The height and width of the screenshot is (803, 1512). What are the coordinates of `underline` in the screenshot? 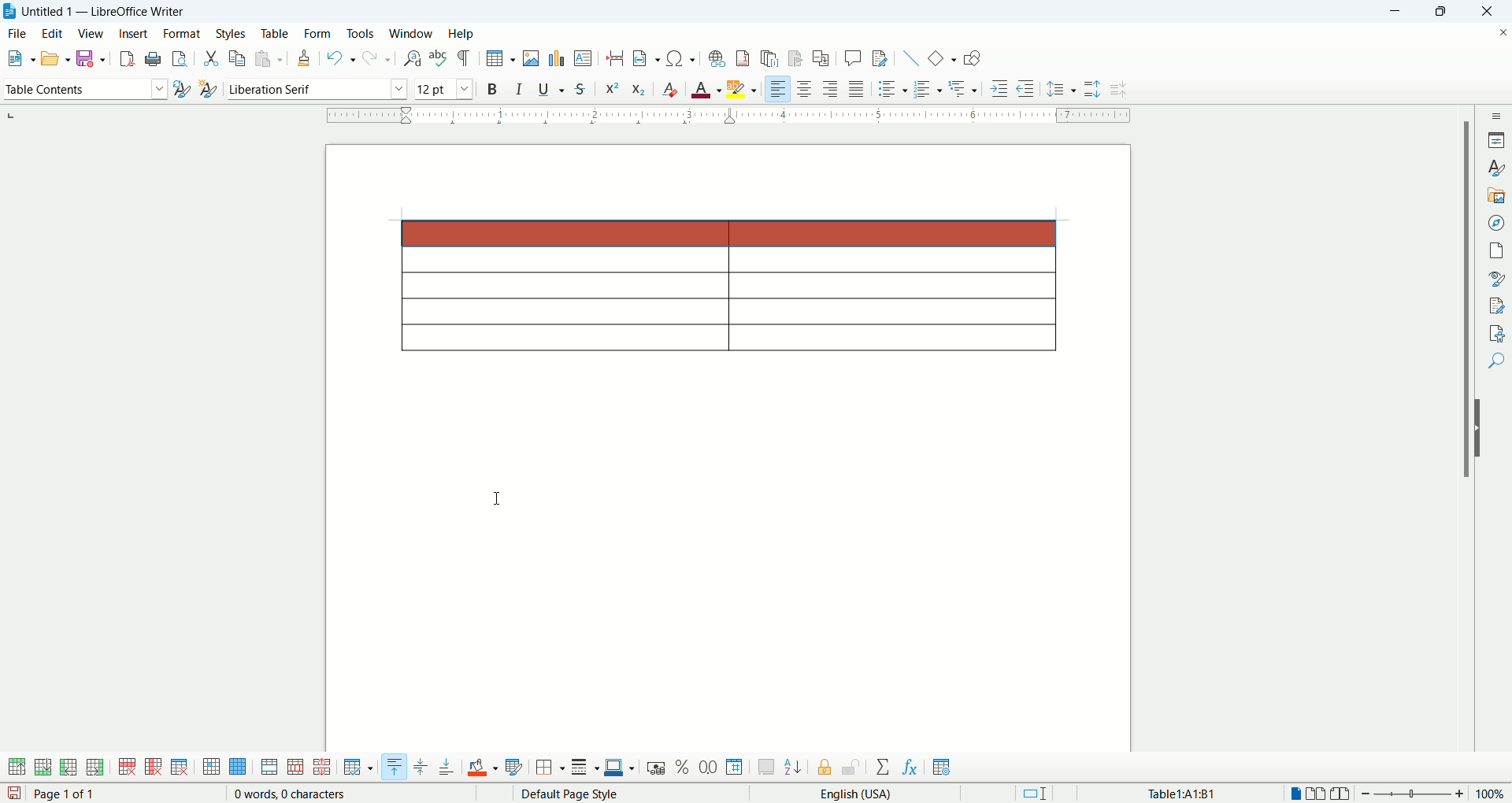 It's located at (551, 87).